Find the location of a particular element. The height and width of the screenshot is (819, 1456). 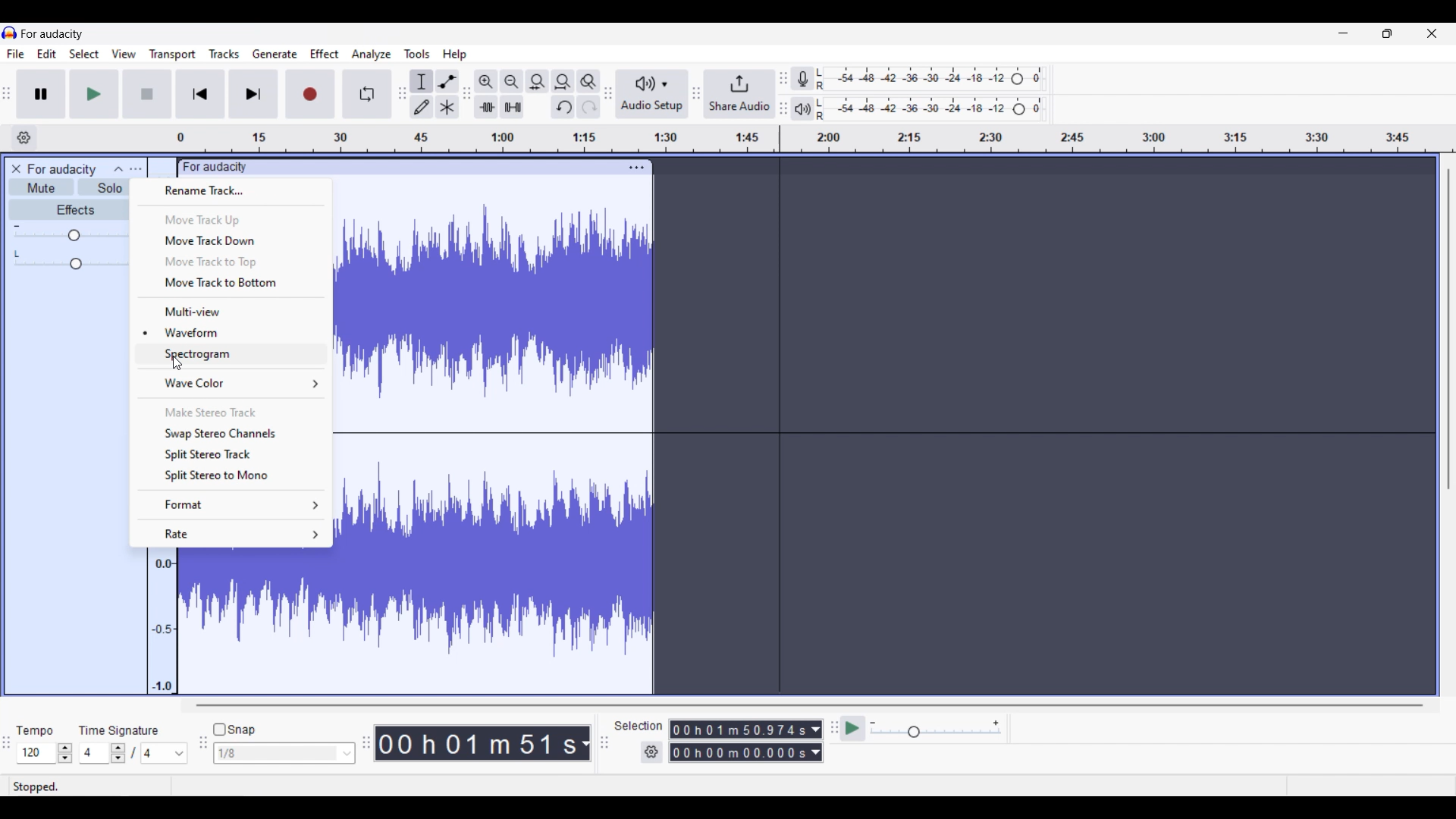

Skip/Select to end is located at coordinates (255, 94).